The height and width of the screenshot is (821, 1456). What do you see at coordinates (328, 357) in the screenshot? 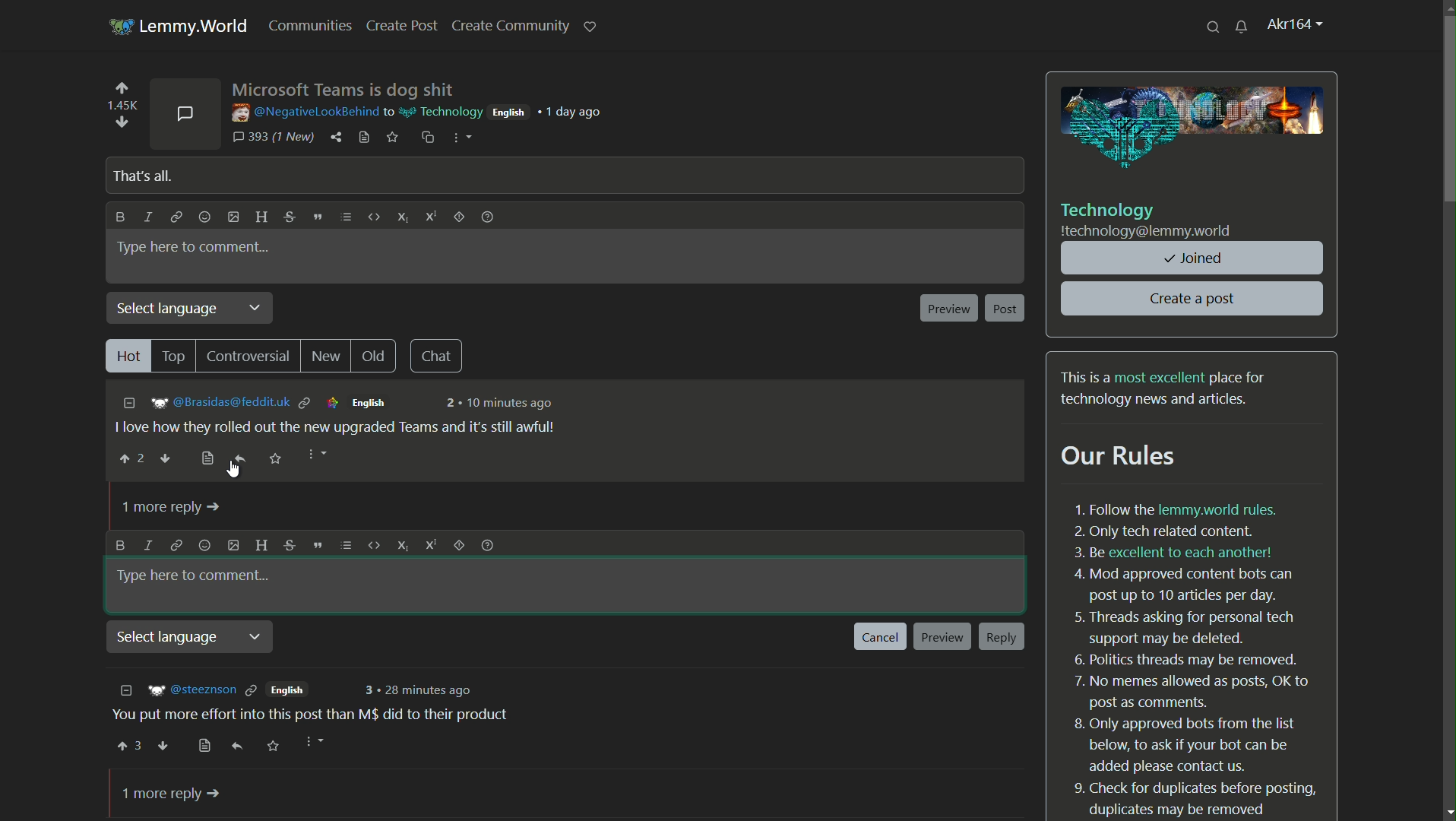
I see `new` at bounding box center [328, 357].